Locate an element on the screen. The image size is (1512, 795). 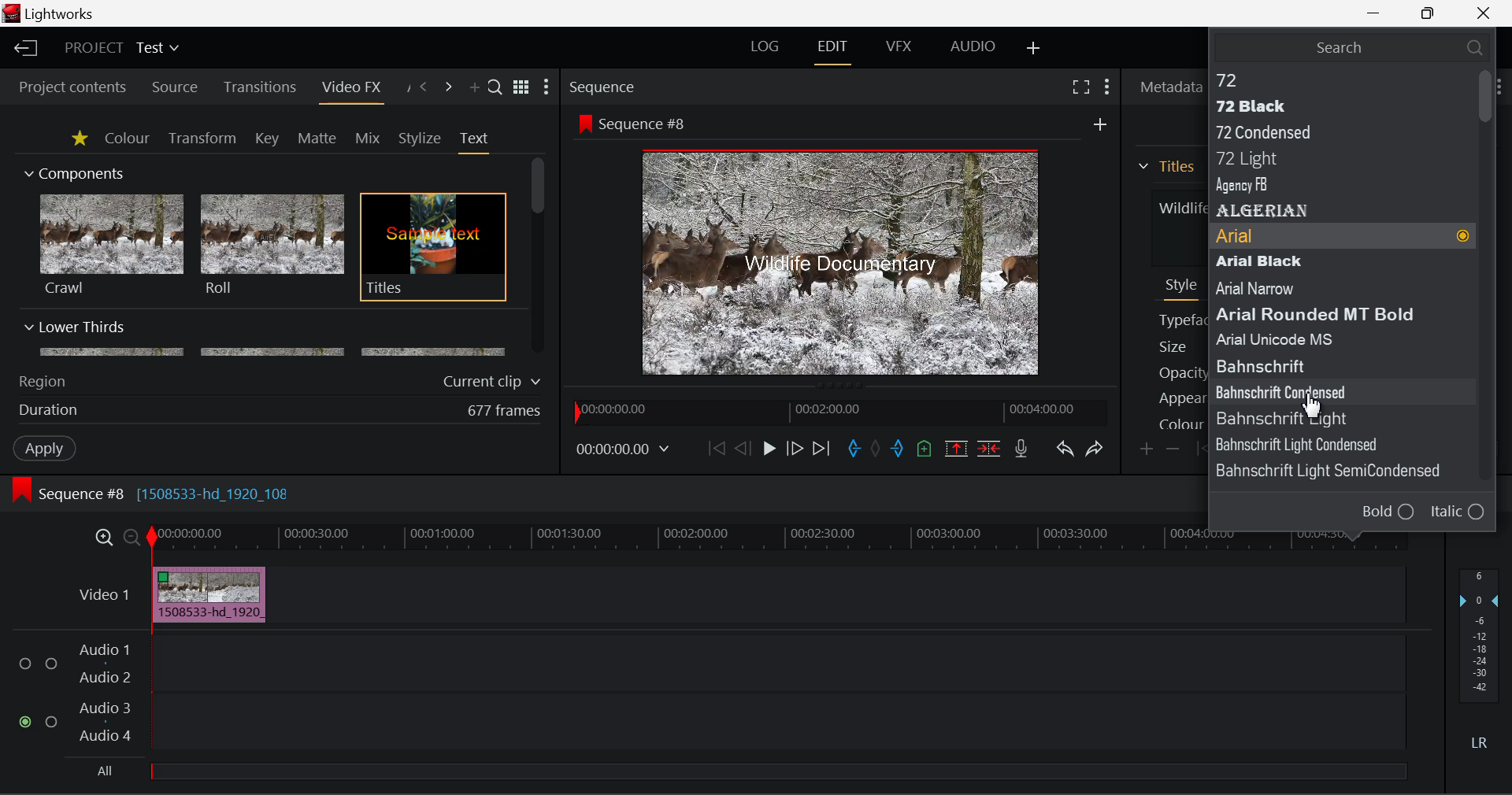
Transform is located at coordinates (204, 139).